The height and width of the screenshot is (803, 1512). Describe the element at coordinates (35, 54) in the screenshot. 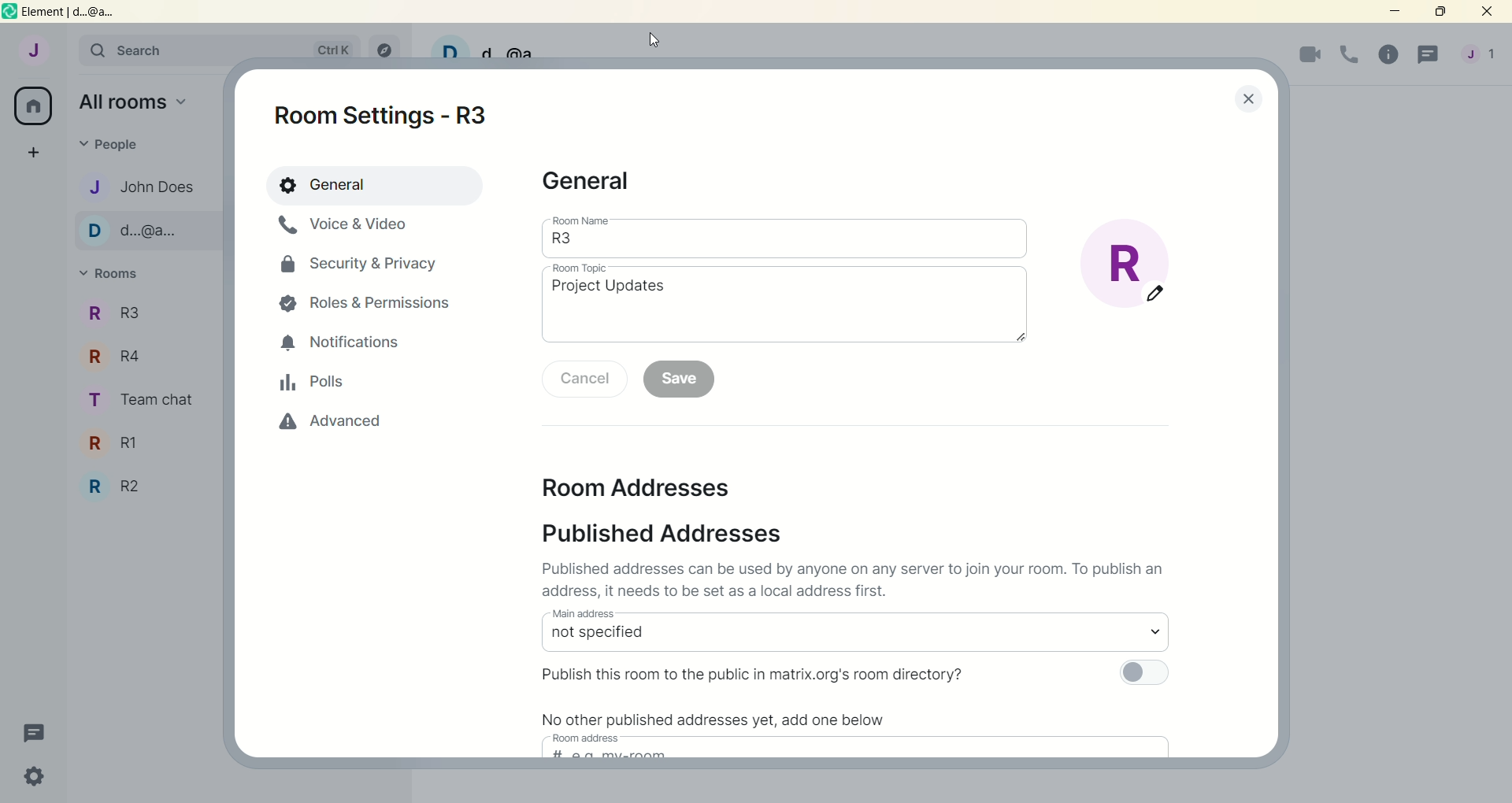

I see `account: John does` at that location.